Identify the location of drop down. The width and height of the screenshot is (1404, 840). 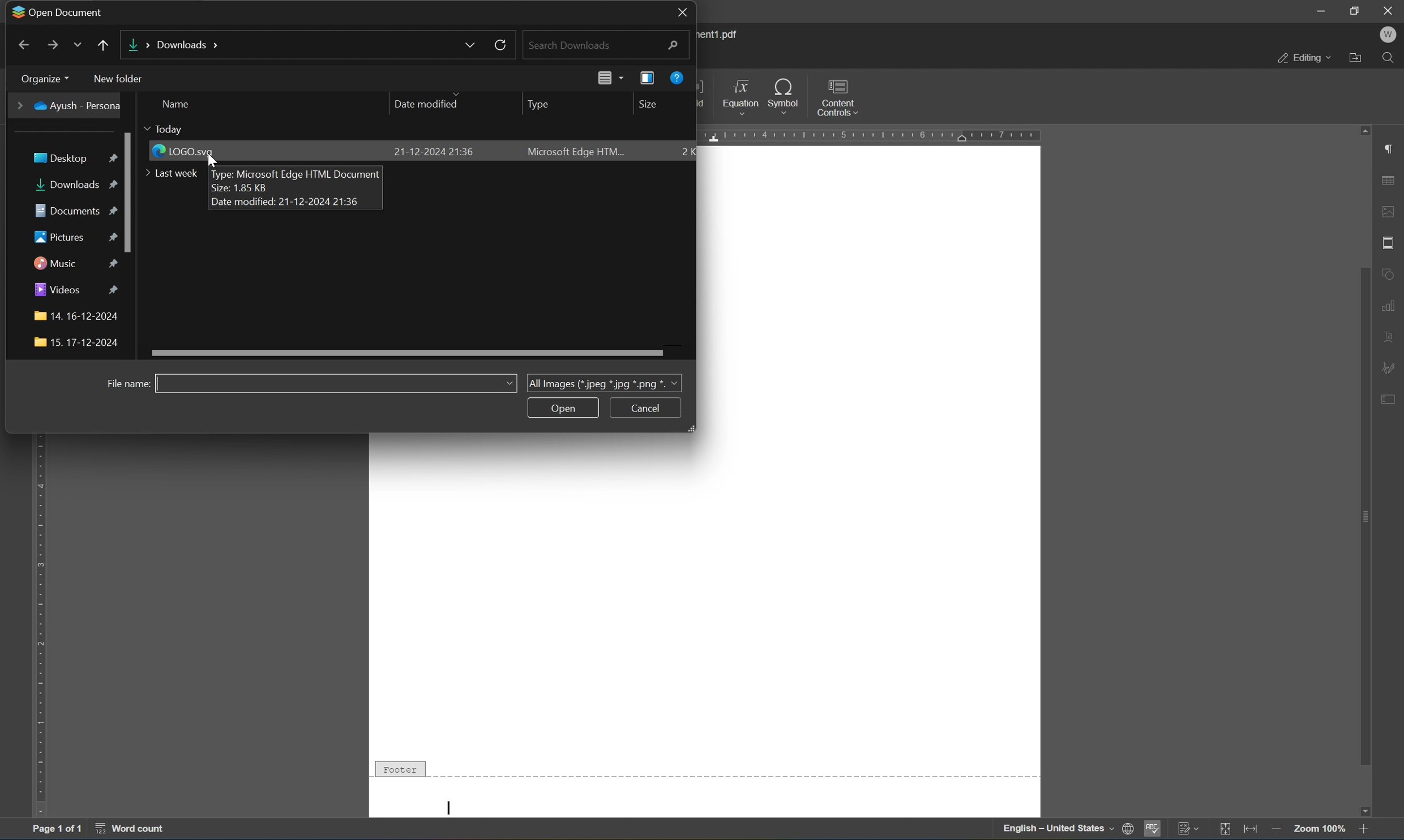
(76, 44).